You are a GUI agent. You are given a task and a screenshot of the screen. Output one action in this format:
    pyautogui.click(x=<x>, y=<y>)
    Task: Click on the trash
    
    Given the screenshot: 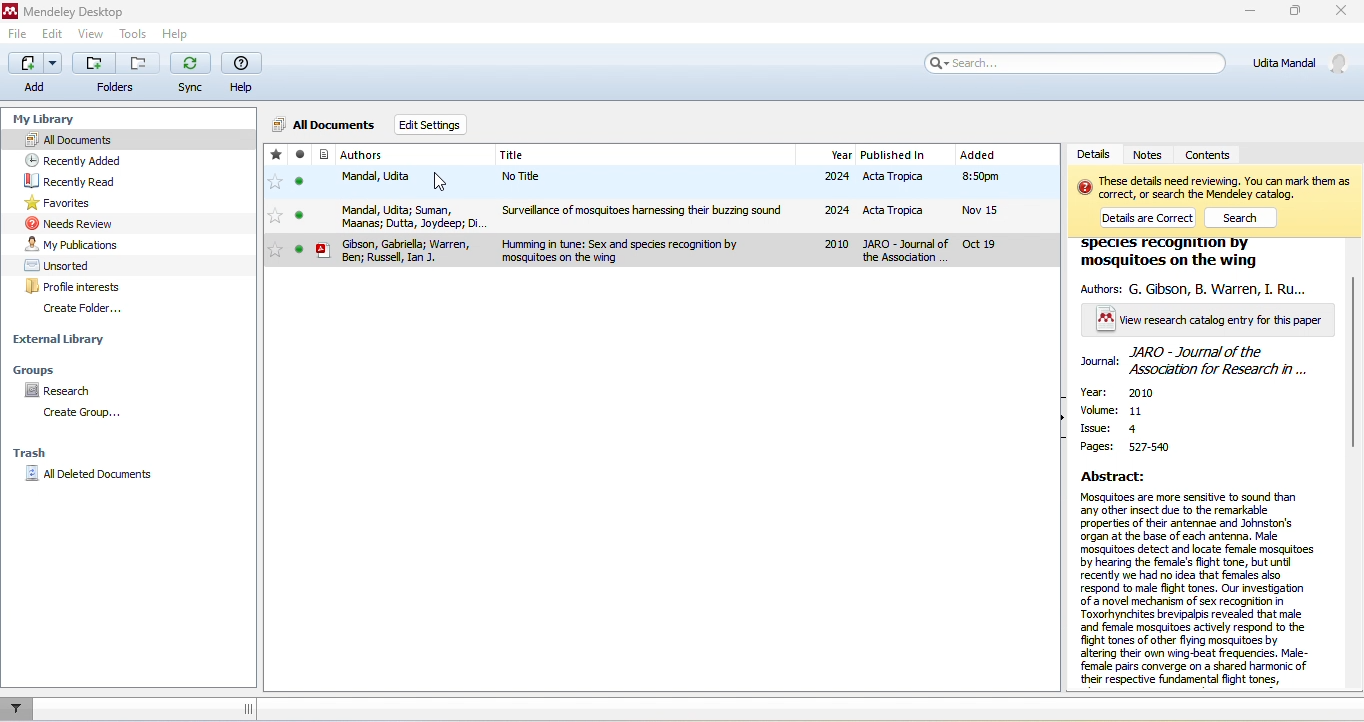 What is the action you would take?
    pyautogui.click(x=33, y=453)
    